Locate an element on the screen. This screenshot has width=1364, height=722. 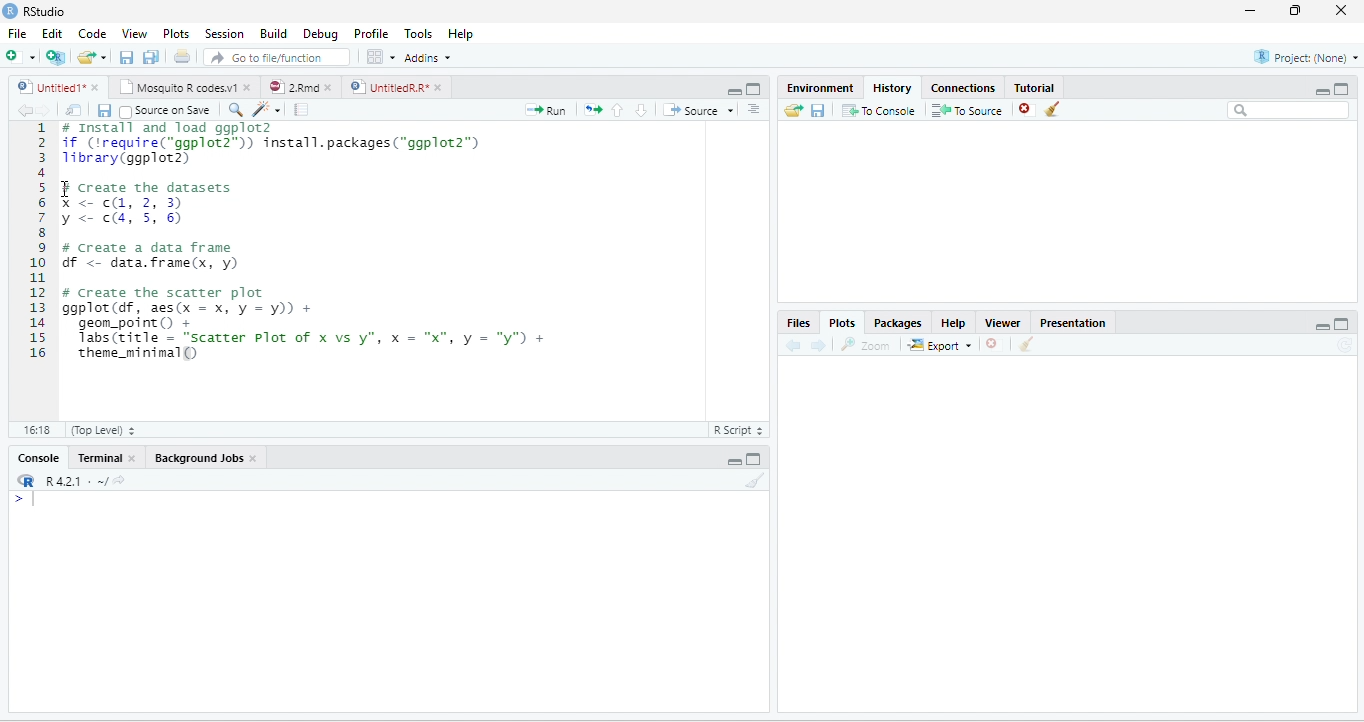
(Top Level) is located at coordinates (101, 429).